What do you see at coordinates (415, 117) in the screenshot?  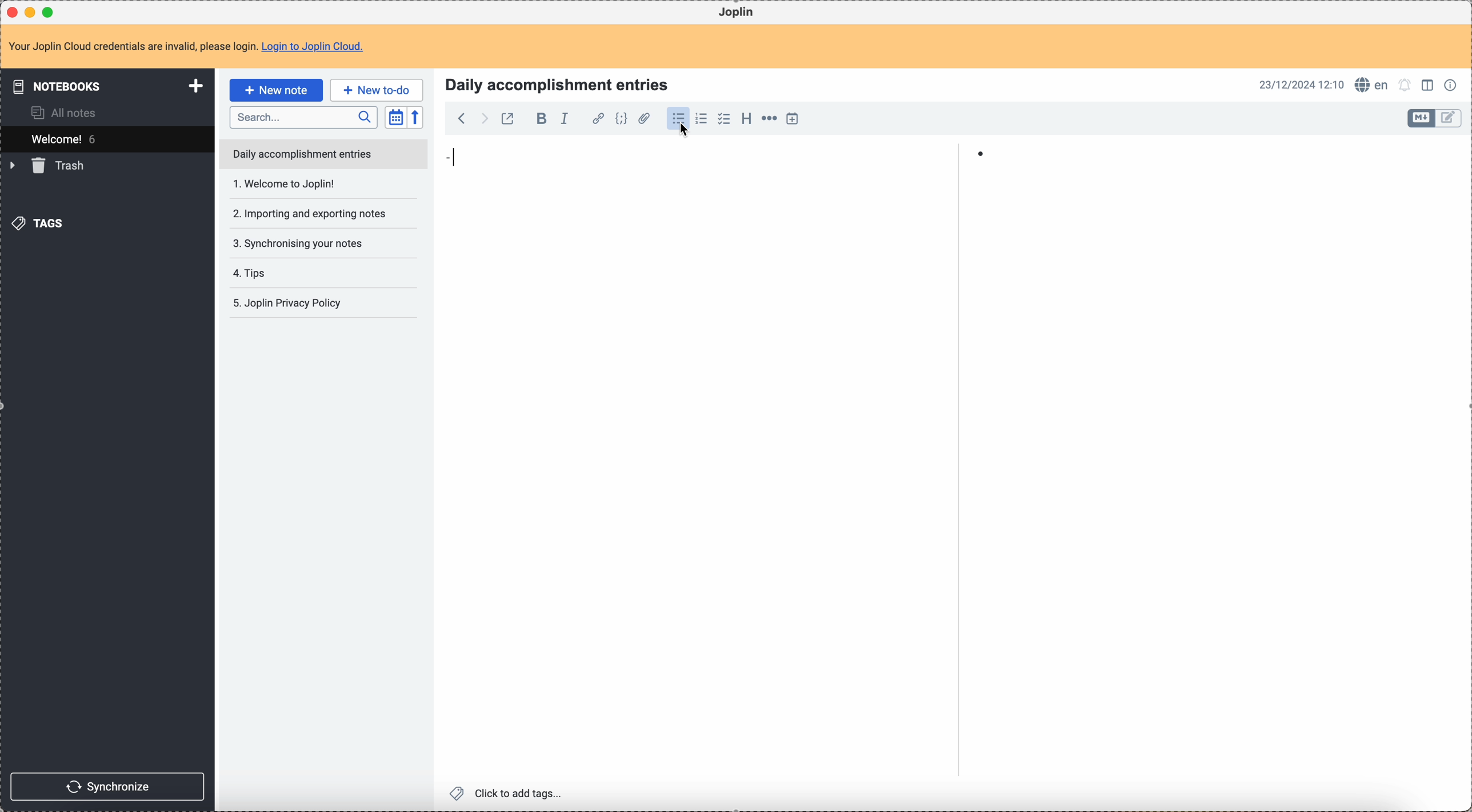 I see `reverse sort order` at bounding box center [415, 117].